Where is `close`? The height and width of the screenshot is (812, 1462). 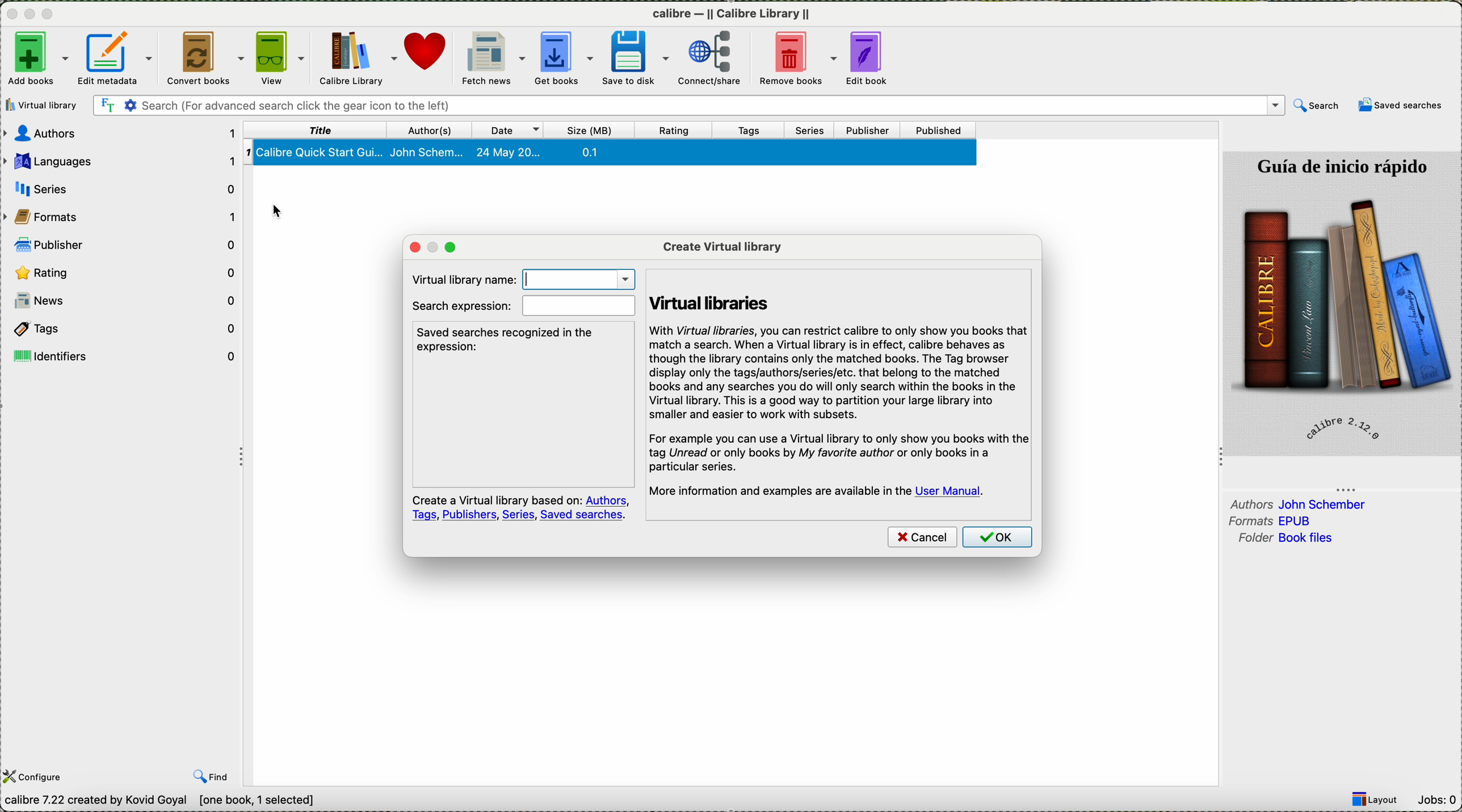 close is located at coordinates (10, 16).